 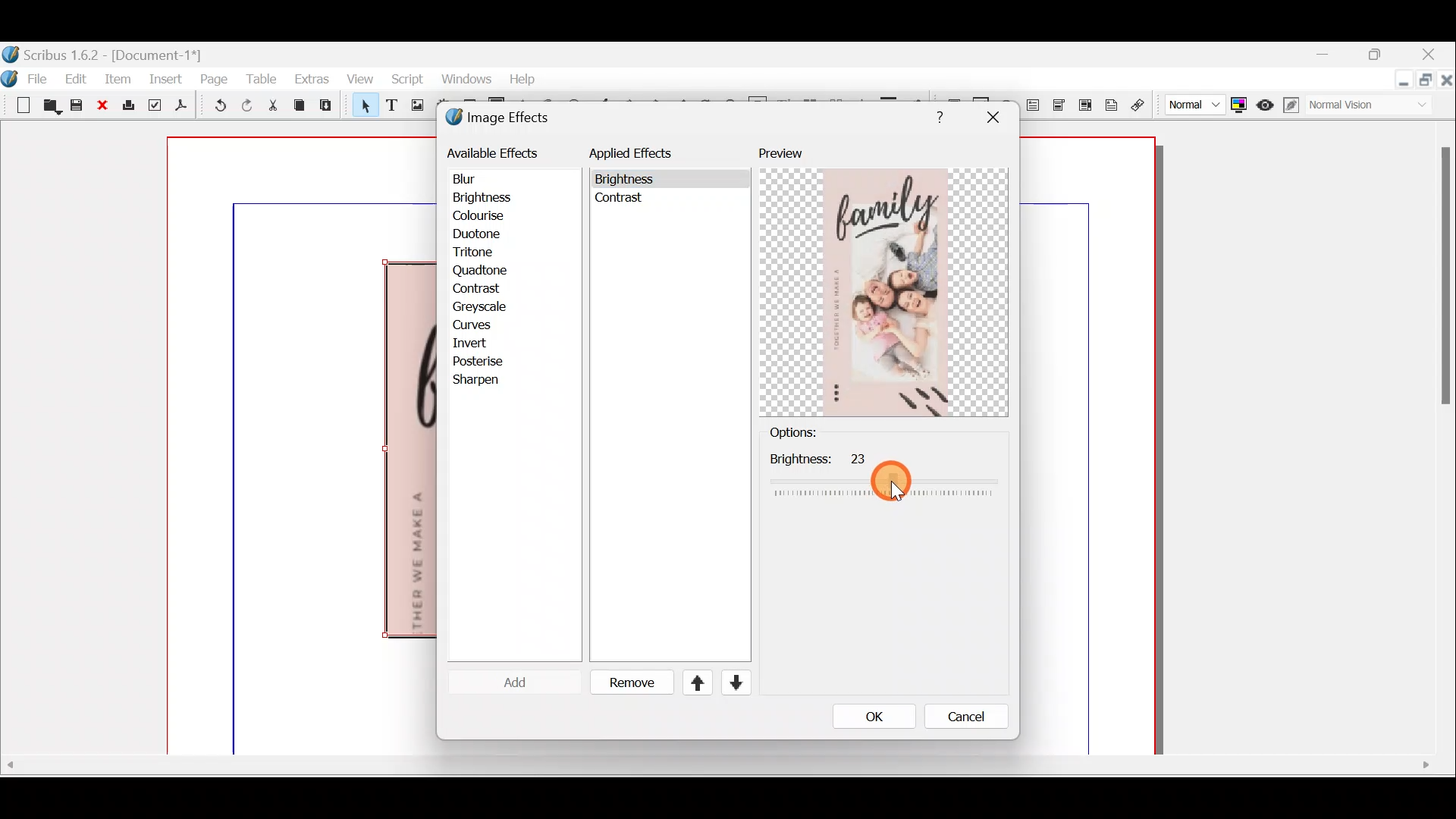 What do you see at coordinates (303, 447) in the screenshot?
I see `Canvas` at bounding box center [303, 447].